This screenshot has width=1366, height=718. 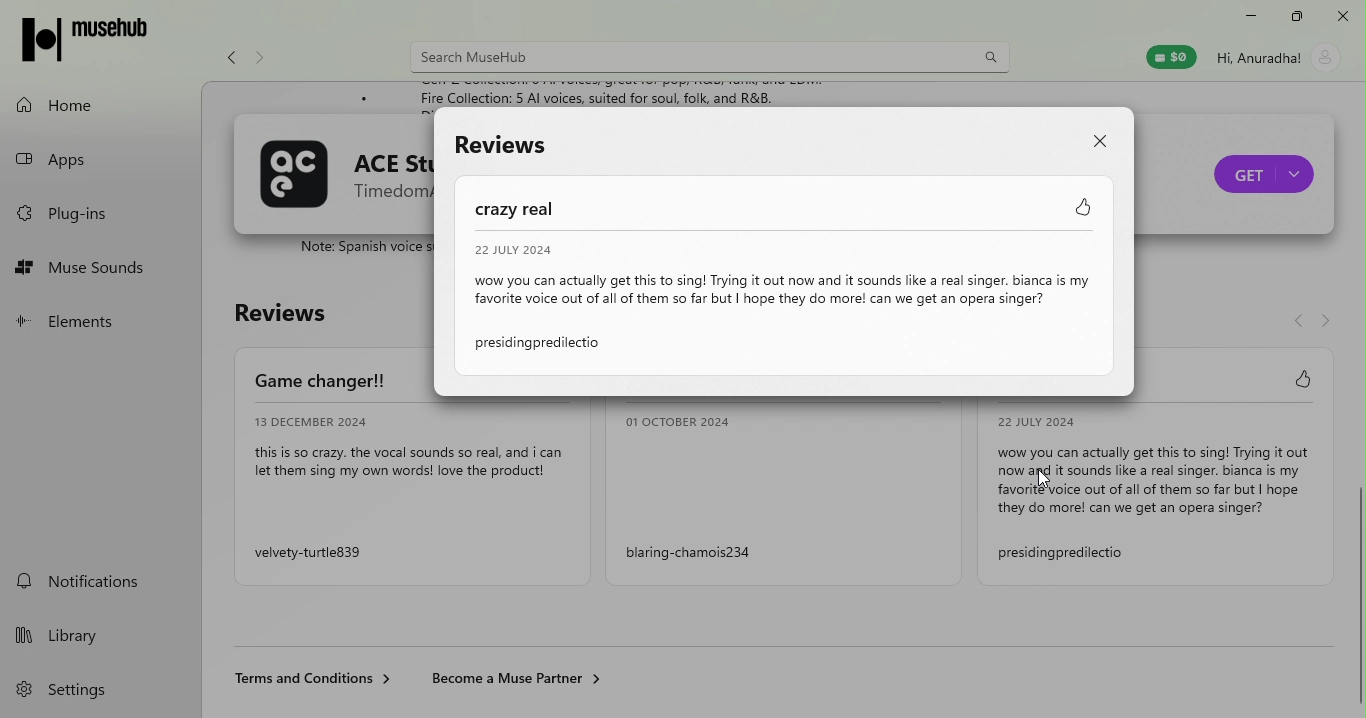 What do you see at coordinates (104, 321) in the screenshot?
I see `elements` at bounding box center [104, 321].